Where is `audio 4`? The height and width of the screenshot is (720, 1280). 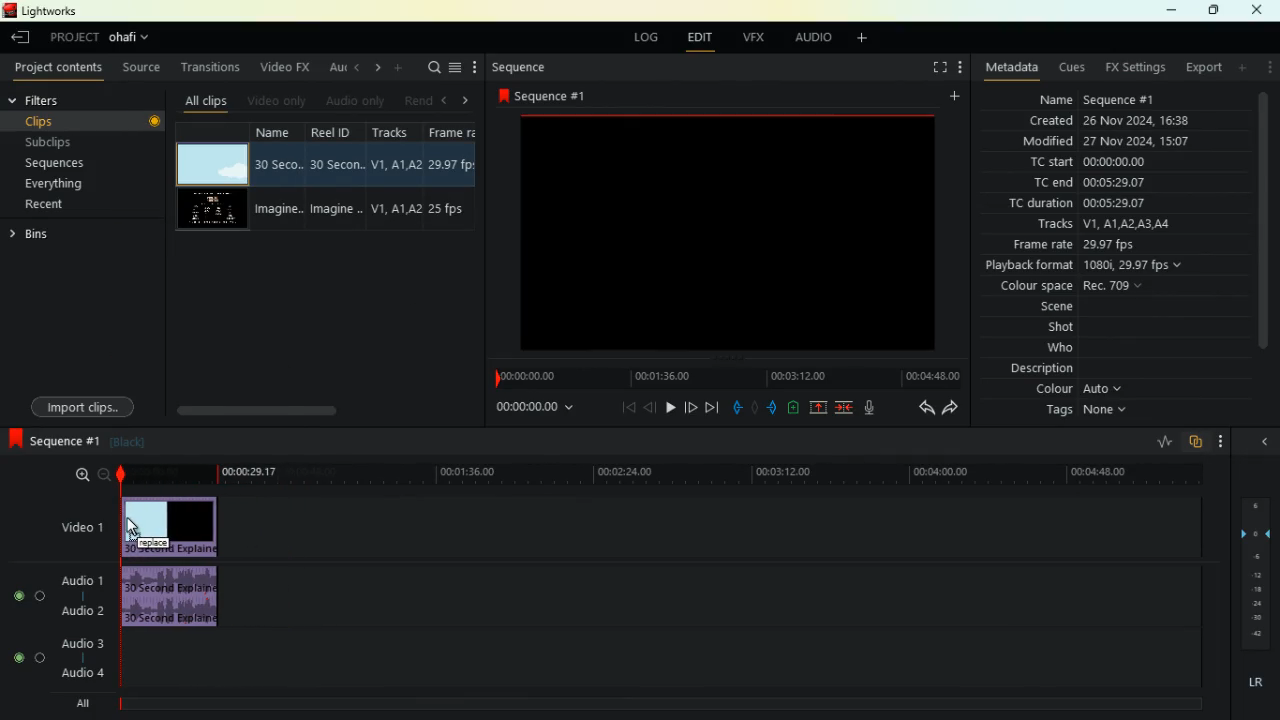
audio 4 is located at coordinates (75, 674).